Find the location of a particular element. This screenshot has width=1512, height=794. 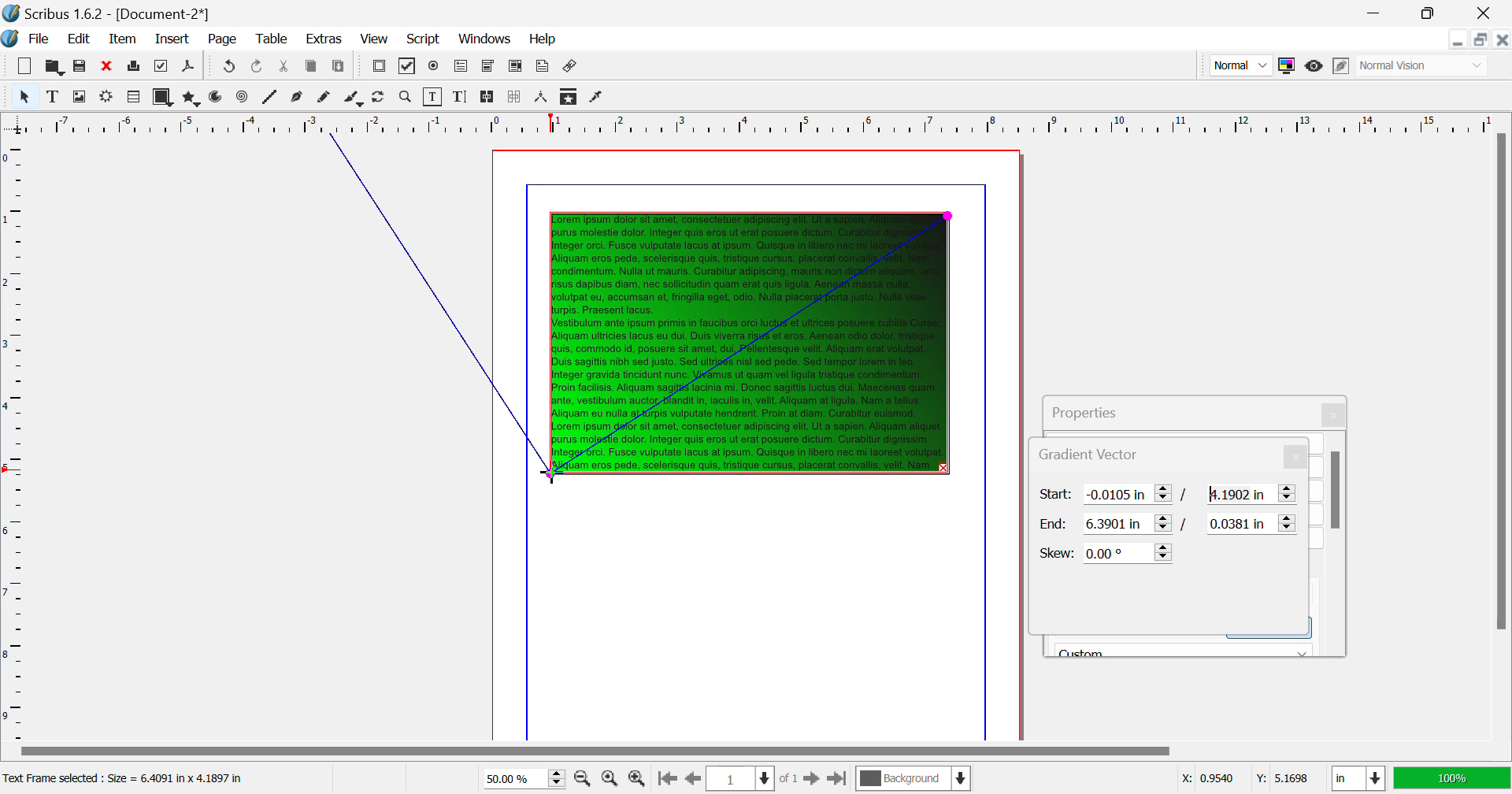

Page 1 of 1 is located at coordinates (750, 778).